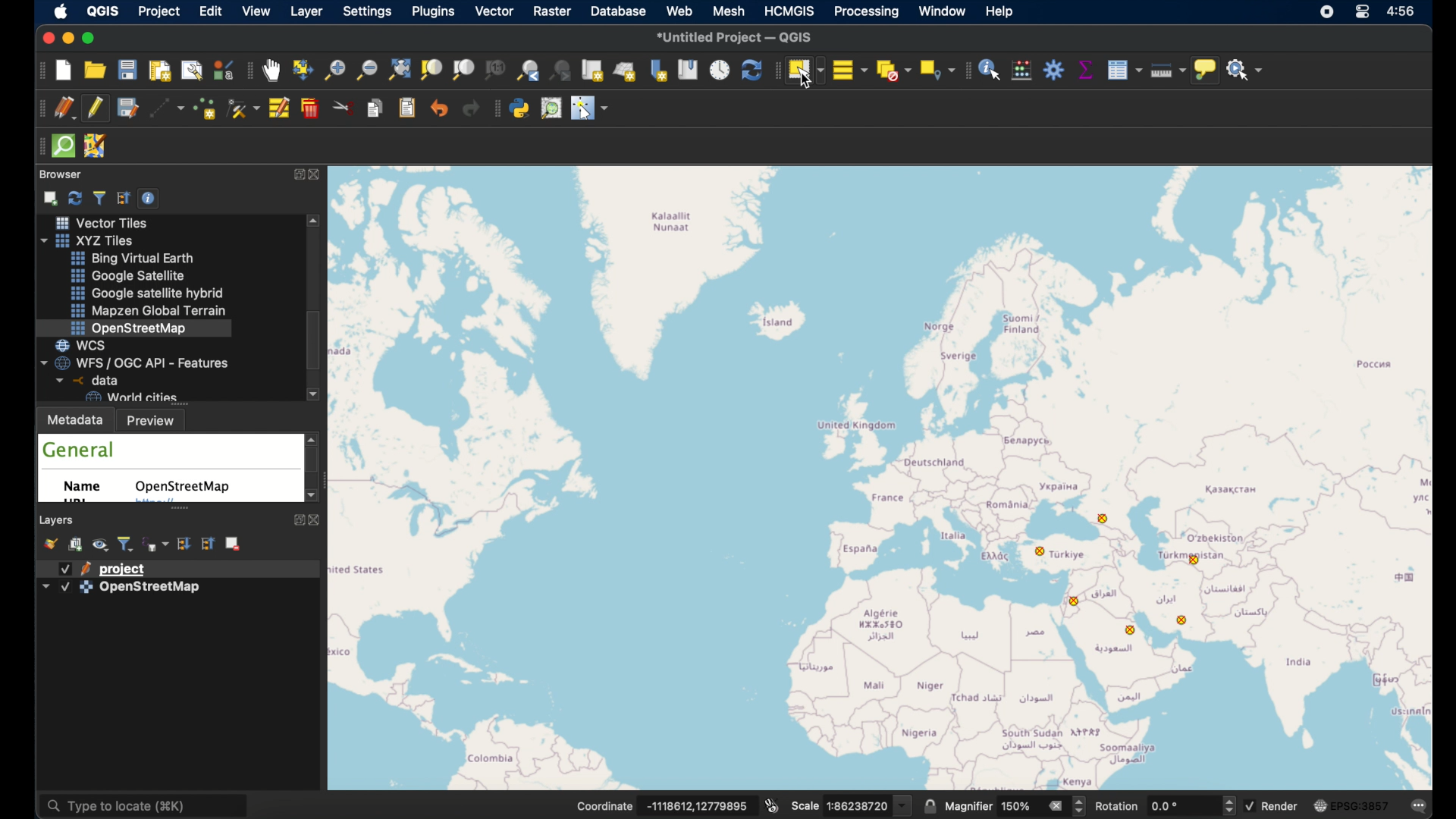 This screenshot has height=819, width=1456. Describe the element at coordinates (93, 38) in the screenshot. I see `maximize` at that location.